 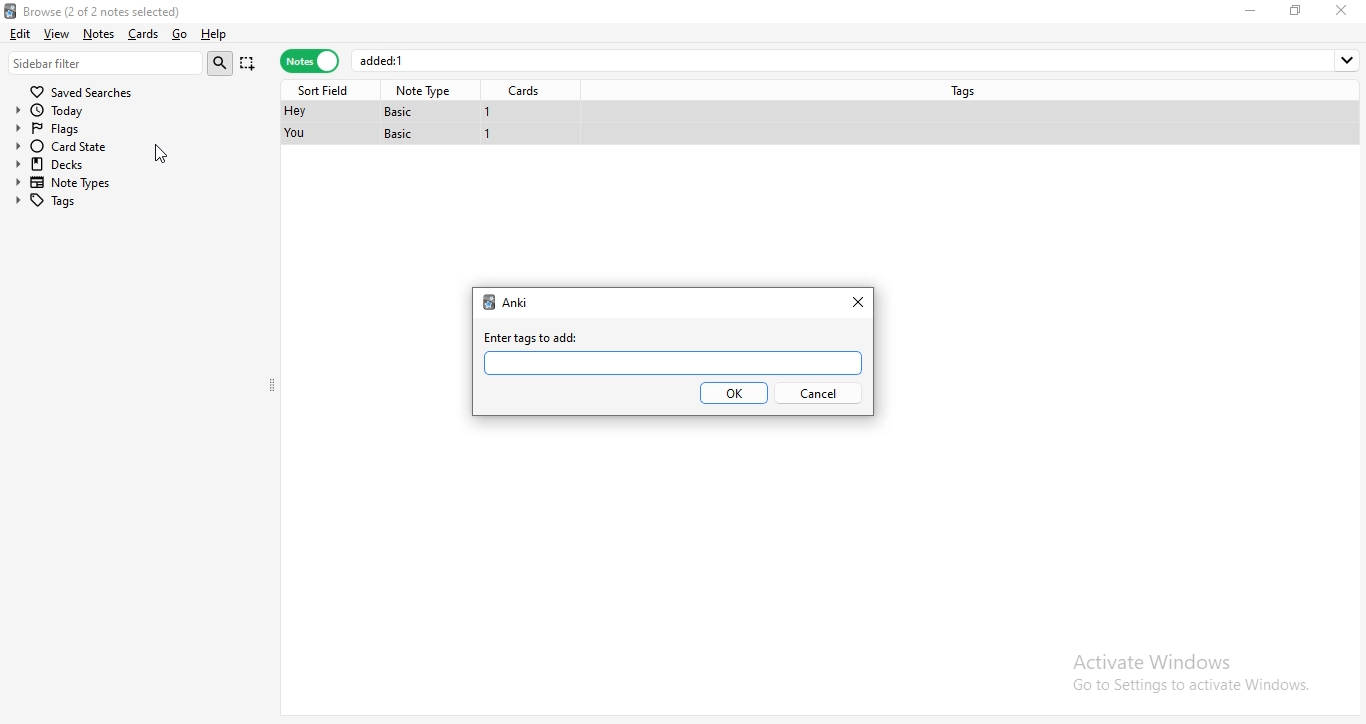 What do you see at coordinates (401, 134) in the screenshot?
I see `basic` at bounding box center [401, 134].